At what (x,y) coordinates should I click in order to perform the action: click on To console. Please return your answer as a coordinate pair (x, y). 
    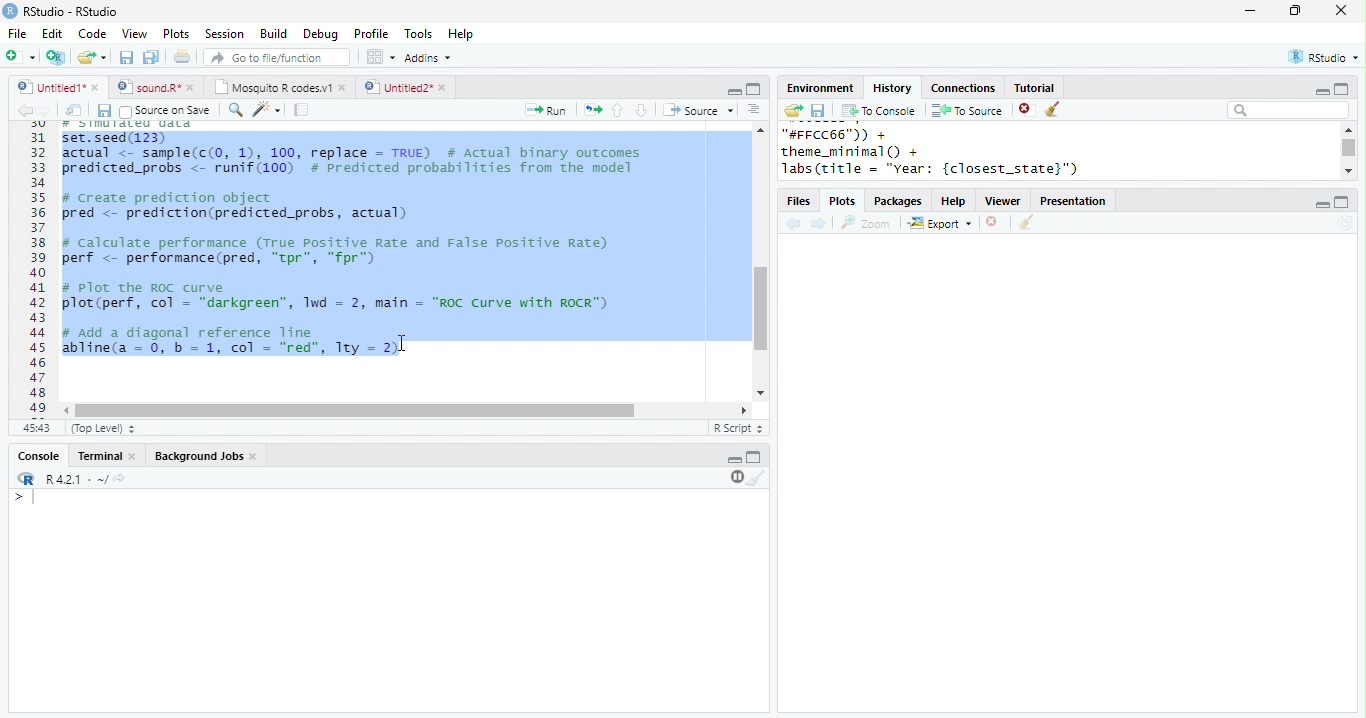
    Looking at the image, I should click on (879, 111).